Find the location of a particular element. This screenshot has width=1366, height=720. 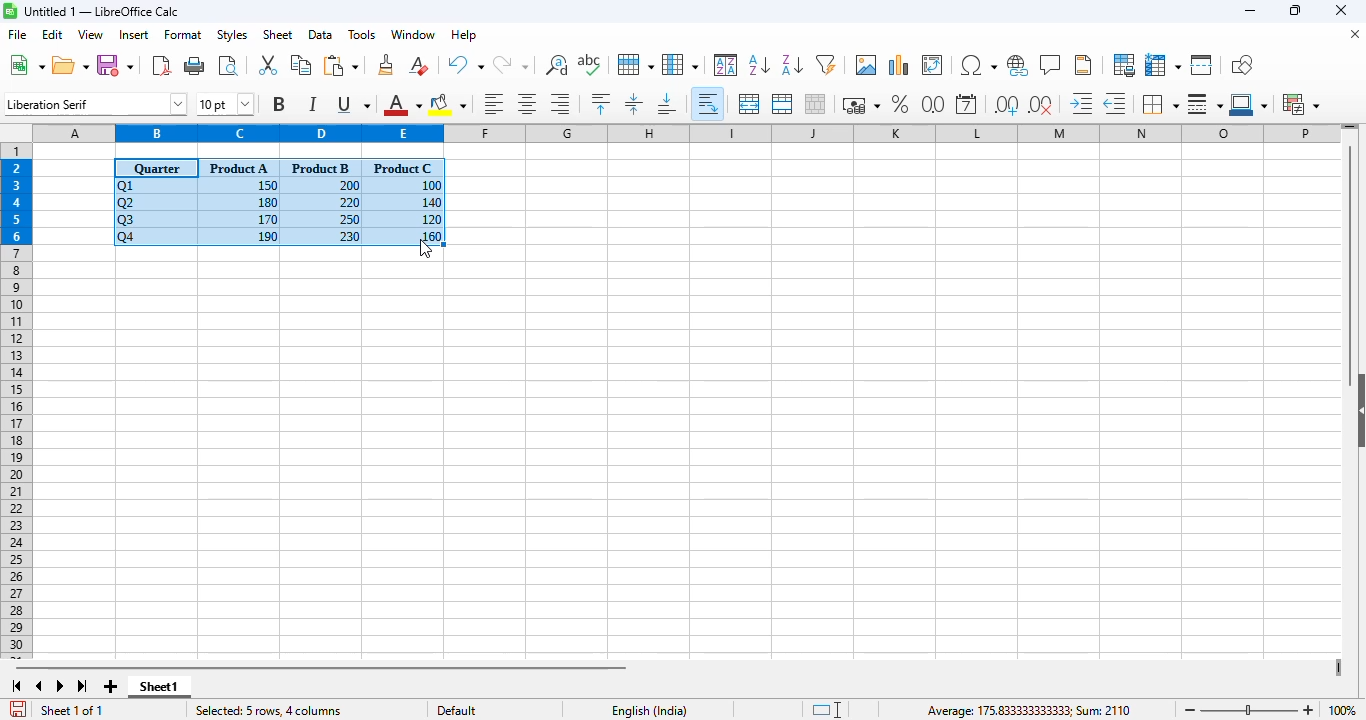

save is located at coordinates (115, 66).